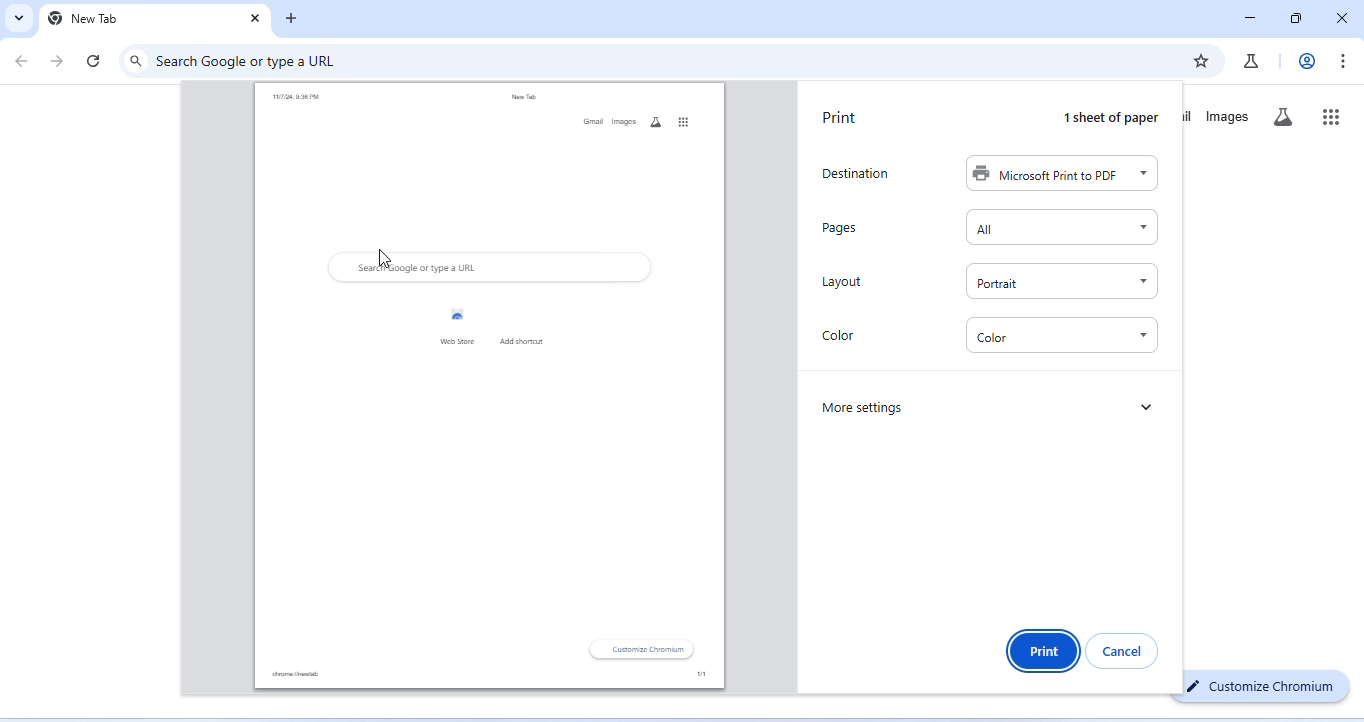  Describe the element at coordinates (522, 98) in the screenshot. I see `new tab` at that location.